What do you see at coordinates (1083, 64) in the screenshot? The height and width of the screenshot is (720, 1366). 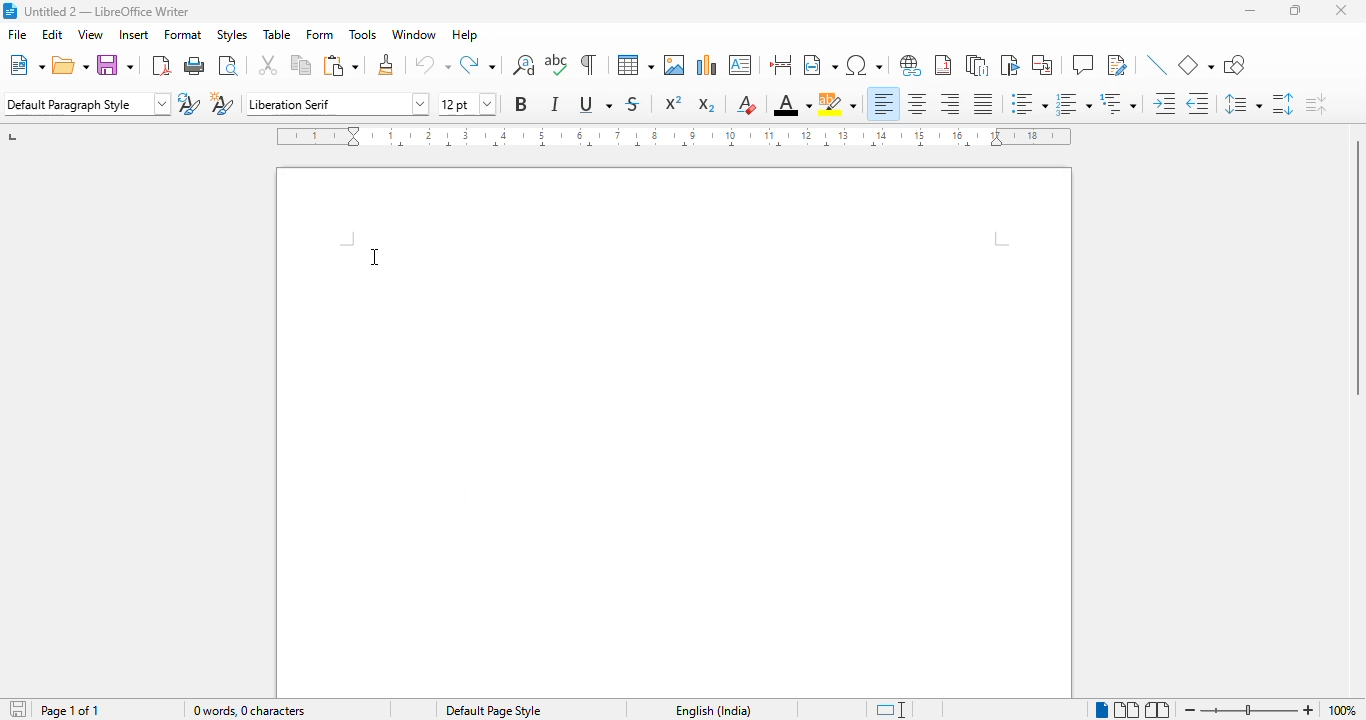 I see `insert comment` at bounding box center [1083, 64].